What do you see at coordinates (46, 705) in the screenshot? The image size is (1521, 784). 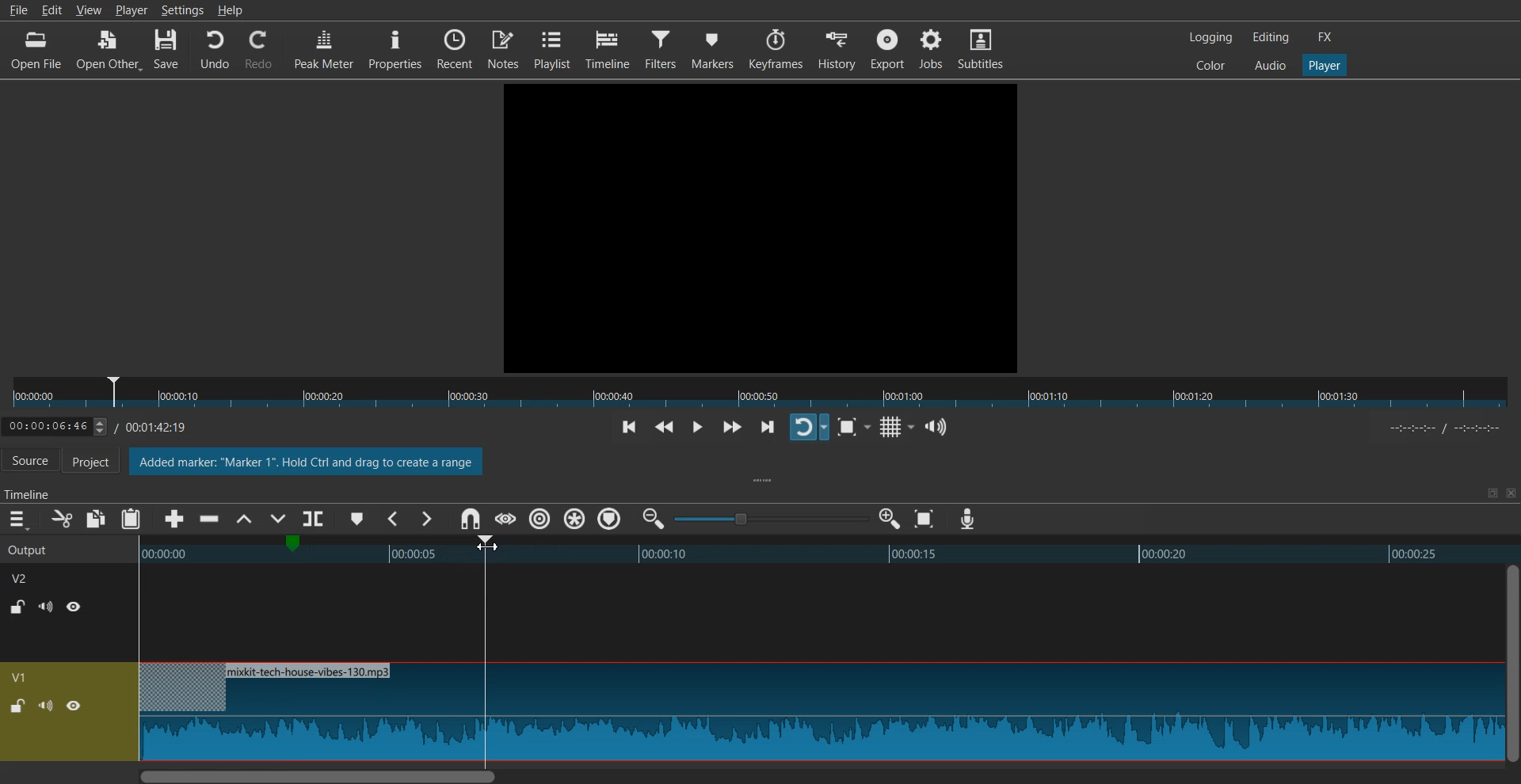 I see `Mute` at bounding box center [46, 705].